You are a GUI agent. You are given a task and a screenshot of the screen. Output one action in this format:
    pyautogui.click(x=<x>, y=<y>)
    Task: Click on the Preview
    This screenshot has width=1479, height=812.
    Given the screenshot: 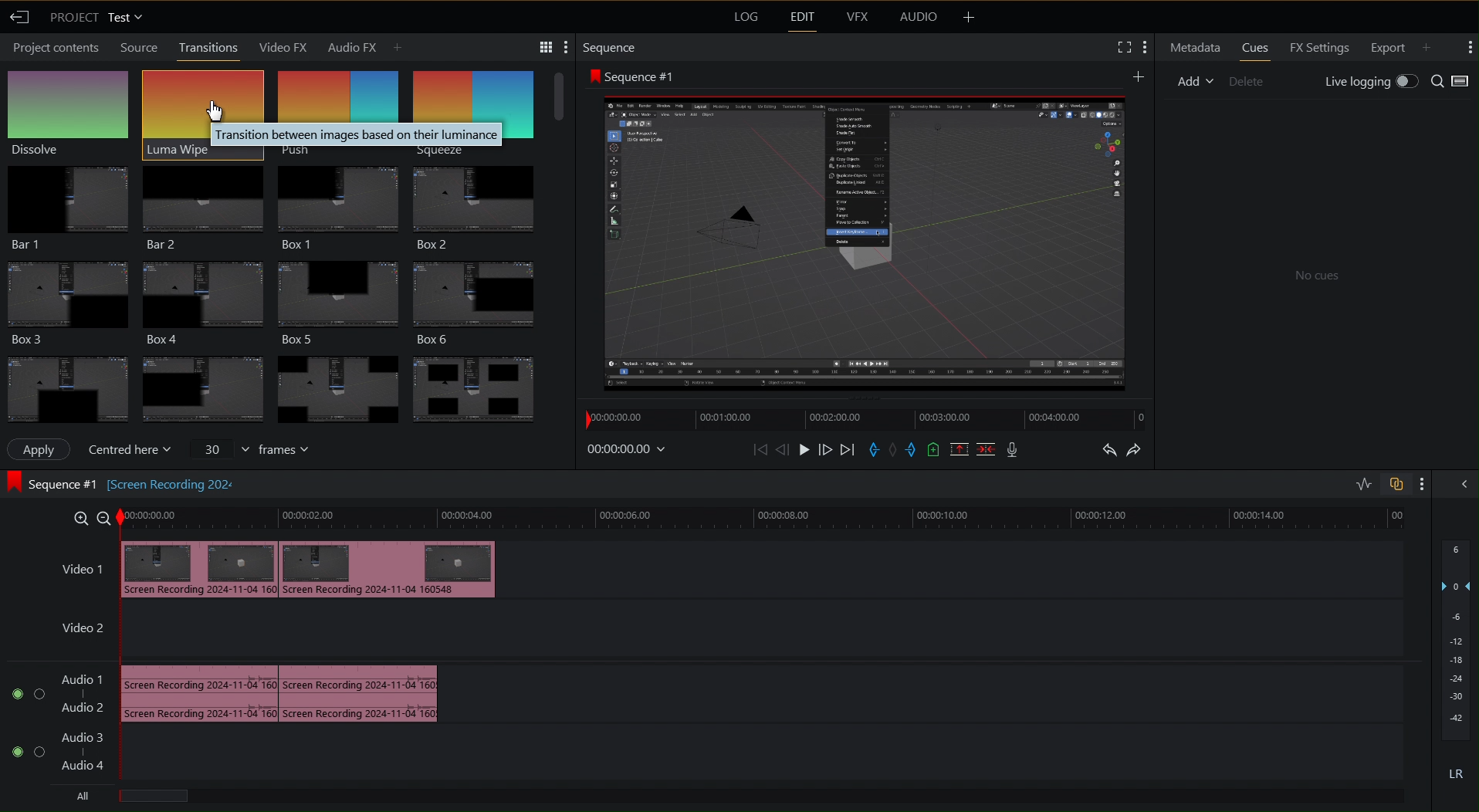 What is the action you would take?
    pyautogui.click(x=865, y=241)
    